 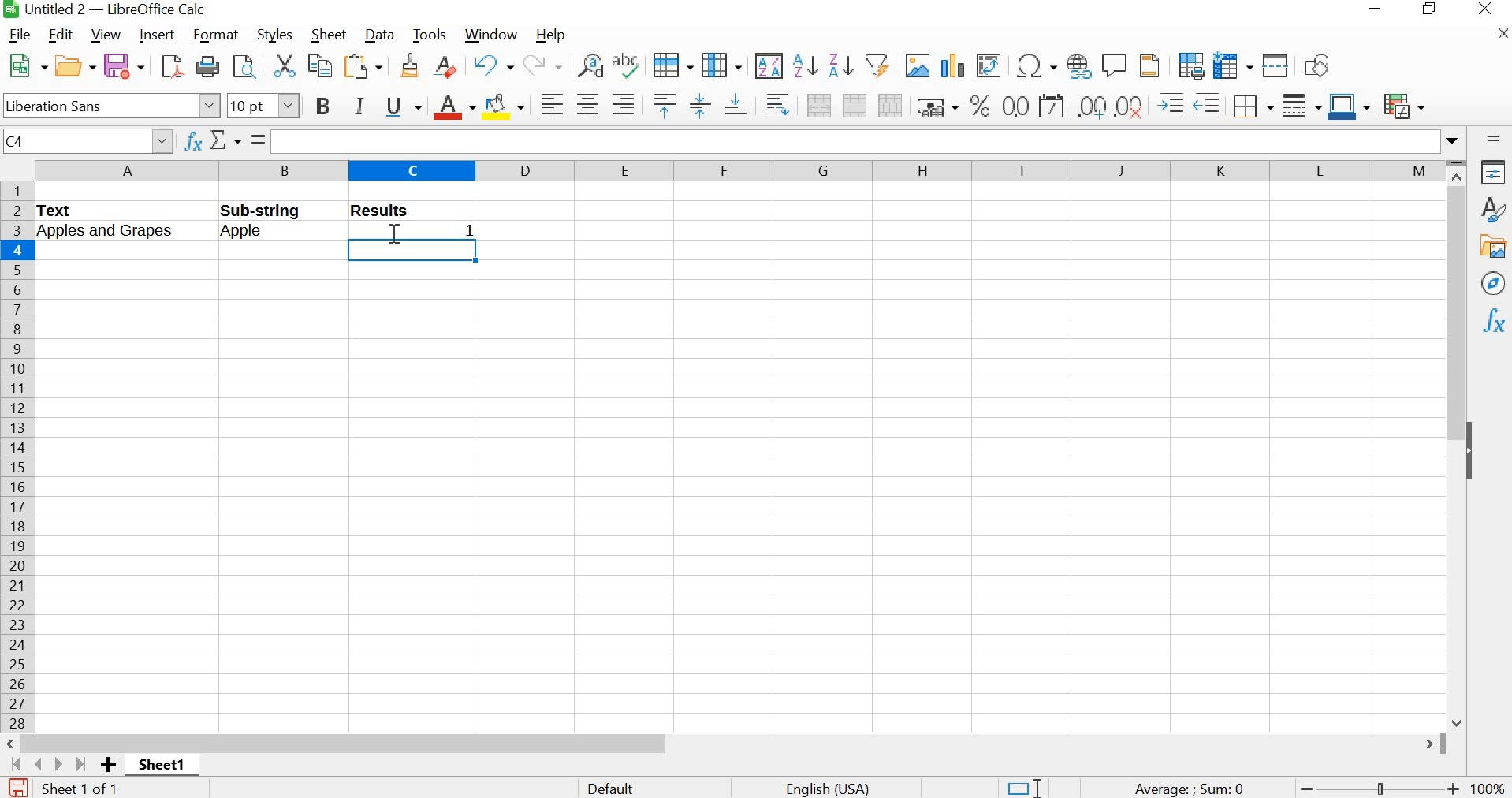 I want to click on styles, so click(x=1492, y=209).